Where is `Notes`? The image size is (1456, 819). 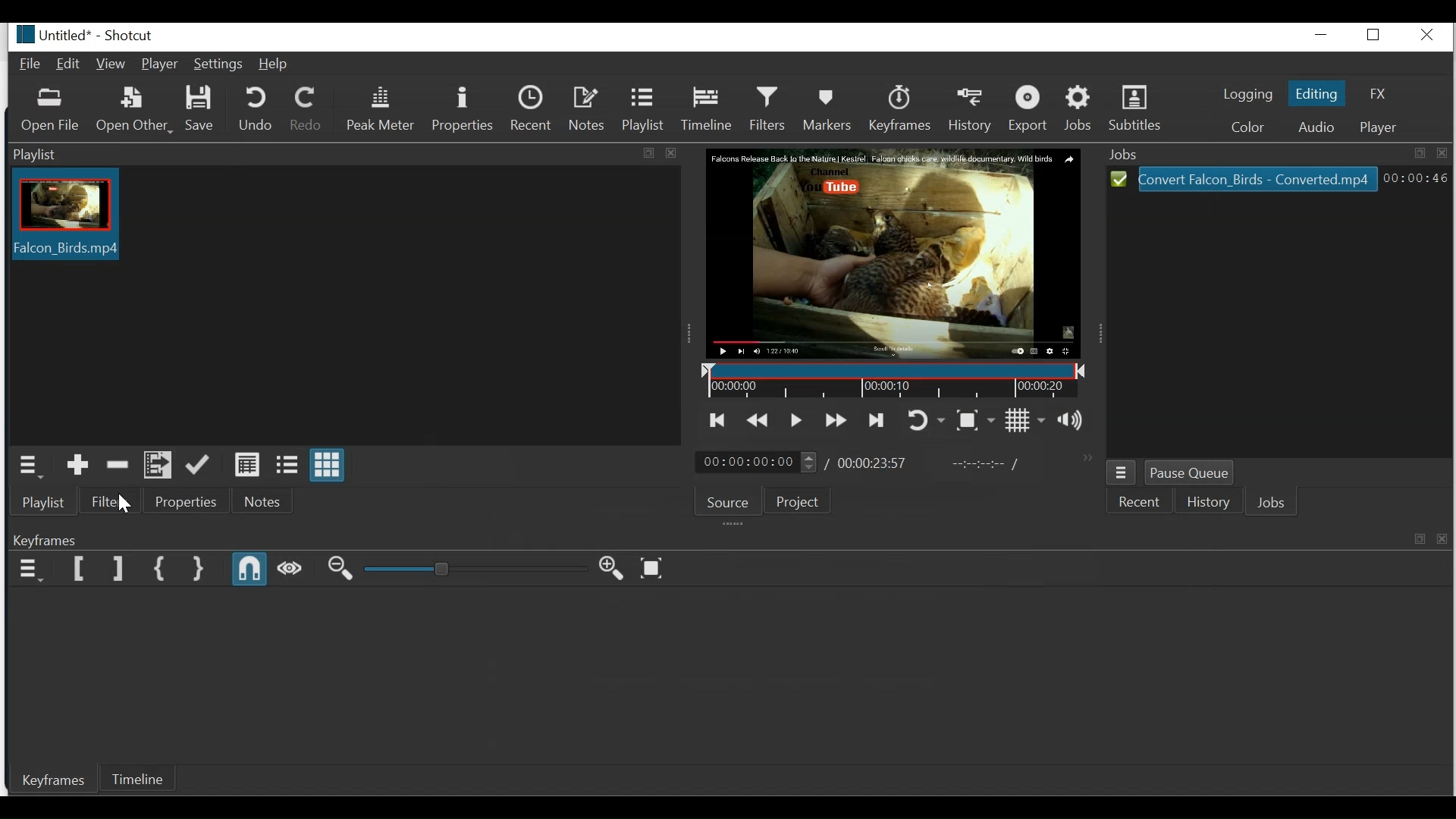 Notes is located at coordinates (586, 108).